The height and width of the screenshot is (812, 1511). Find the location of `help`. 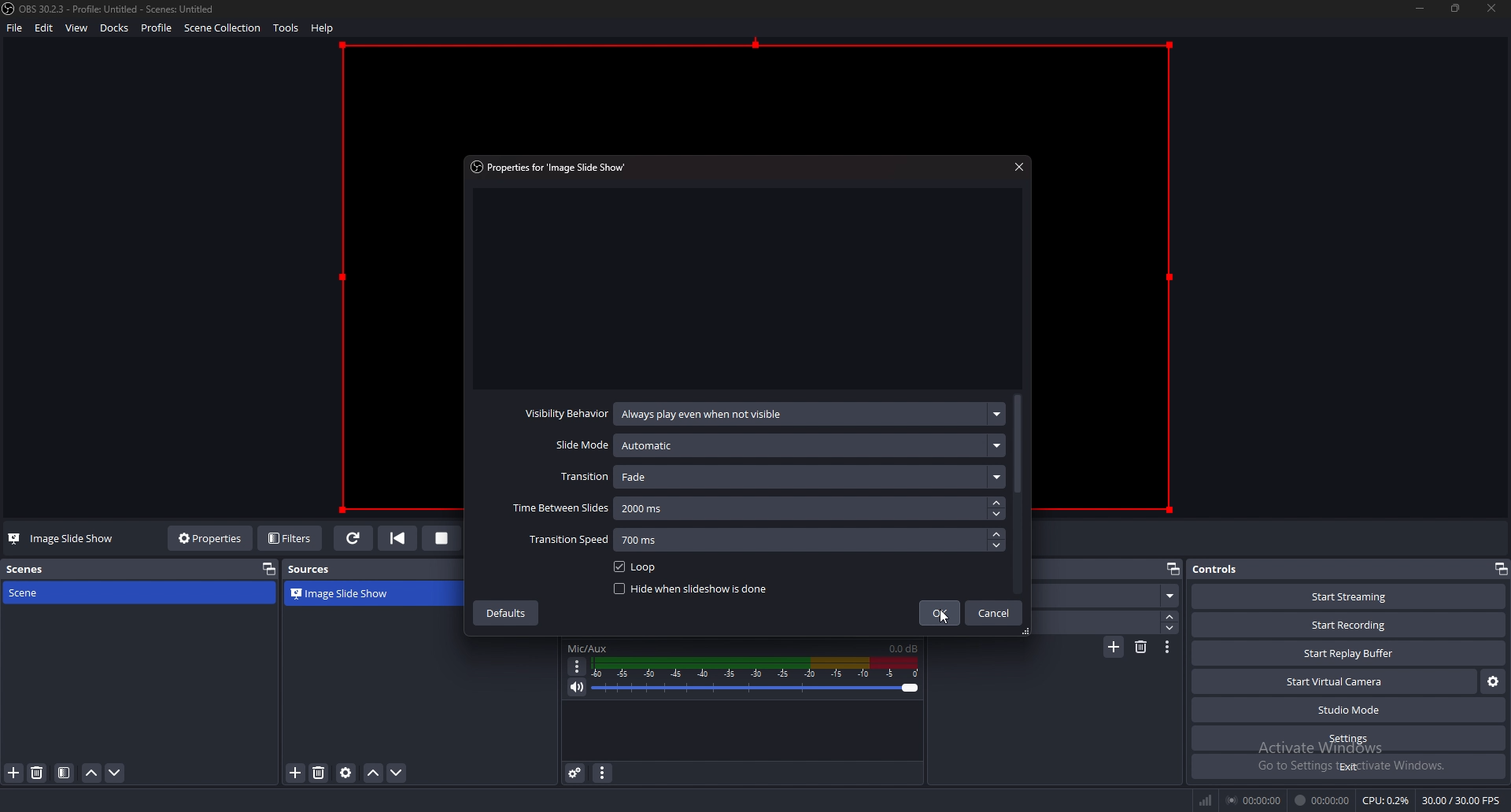

help is located at coordinates (324, 28).